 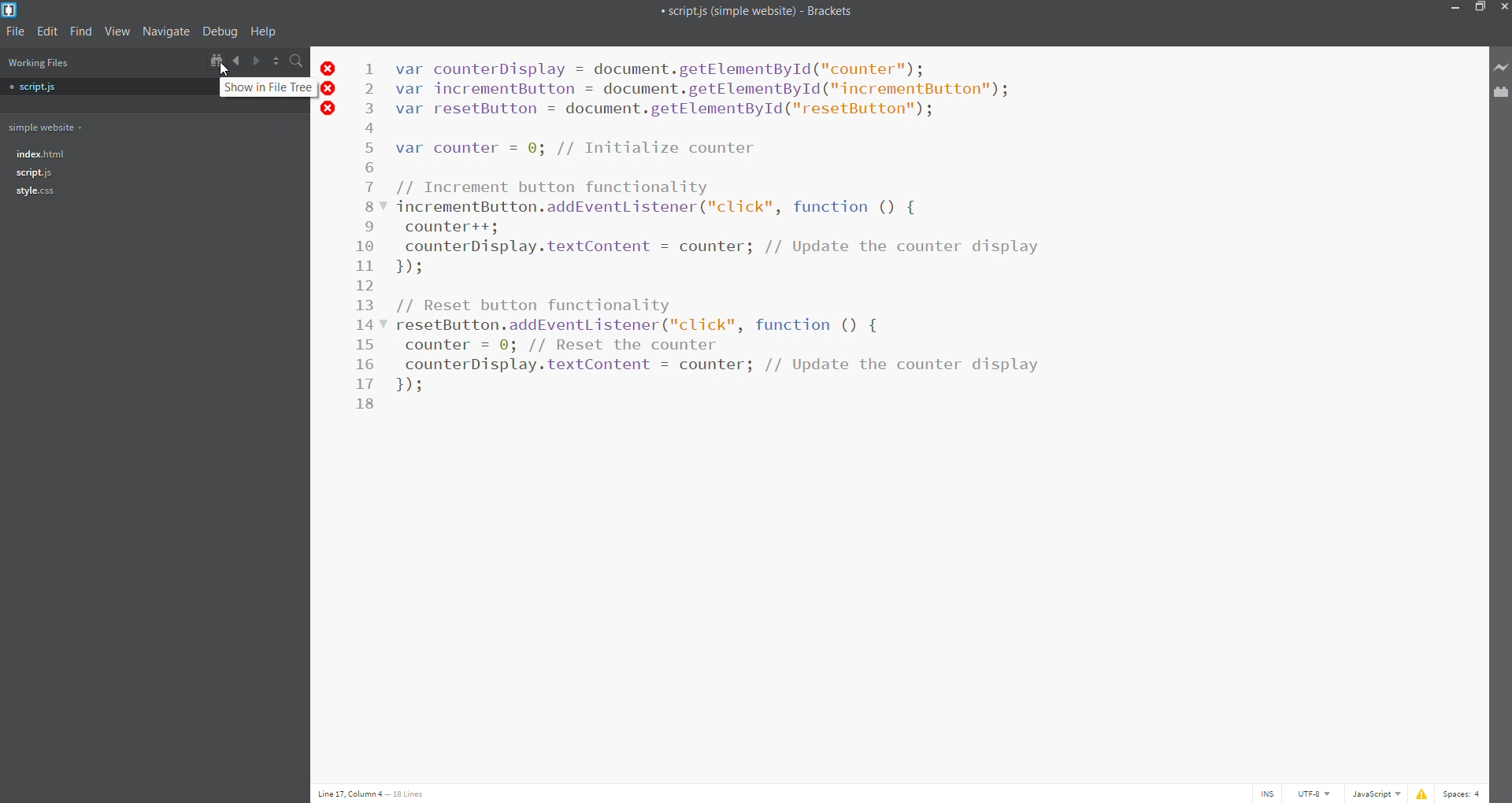 I want to click on search bar, so click(x=295, y=61).